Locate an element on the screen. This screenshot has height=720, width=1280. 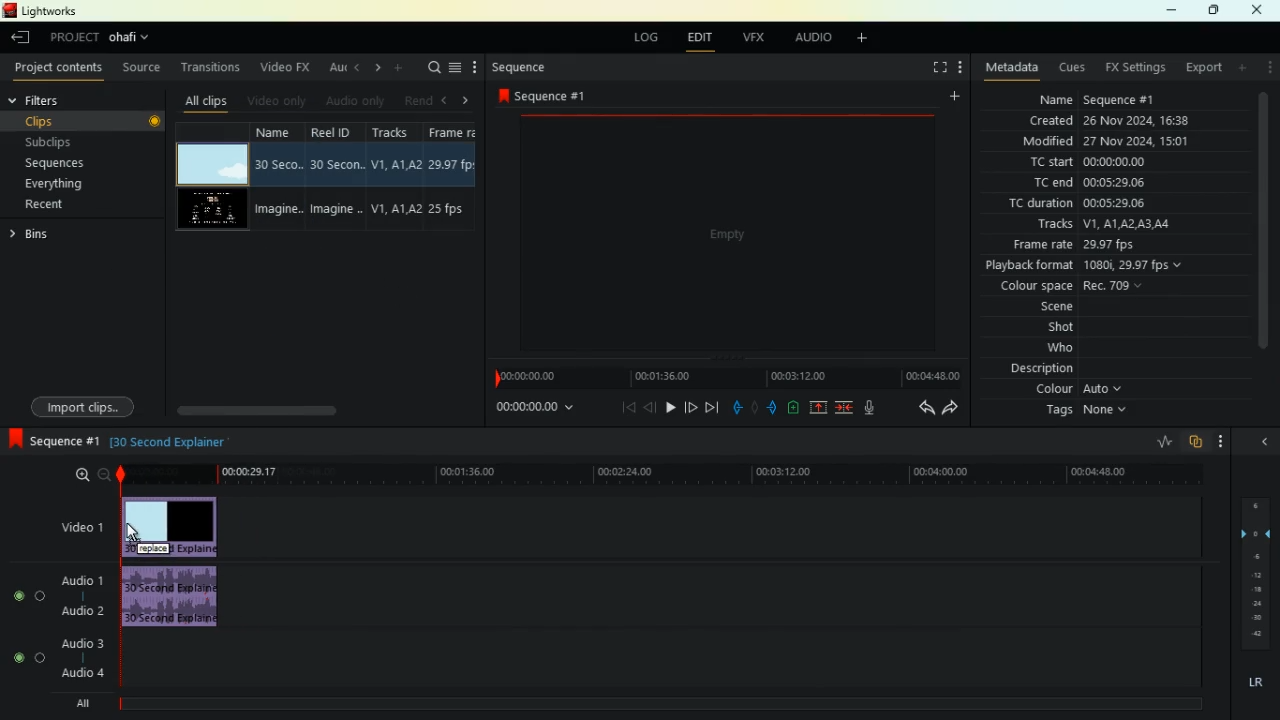
toggle is located at coordinates (42, 596).